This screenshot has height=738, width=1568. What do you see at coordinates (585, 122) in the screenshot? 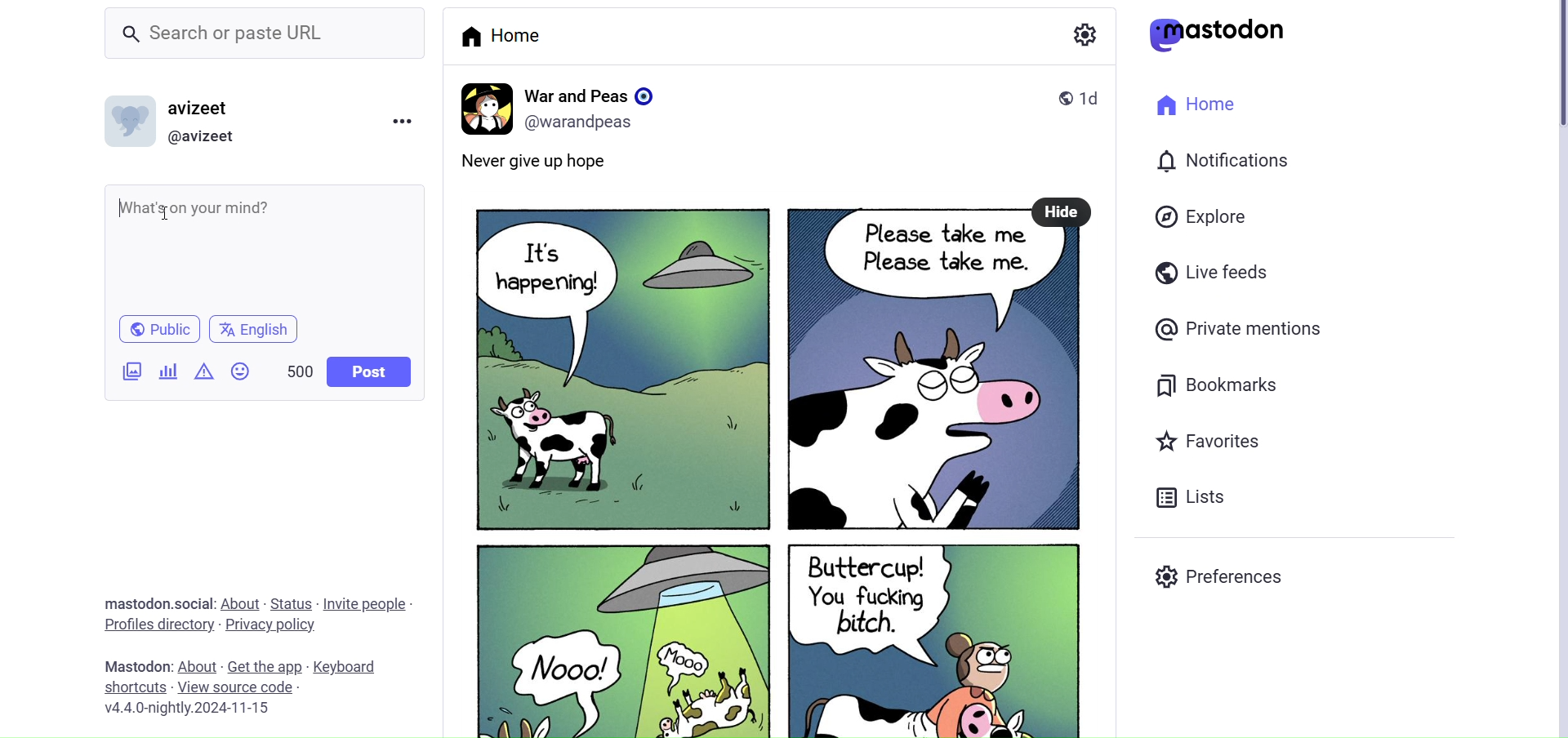
I see `(@warandpeas` at bounding box center [585, 122].